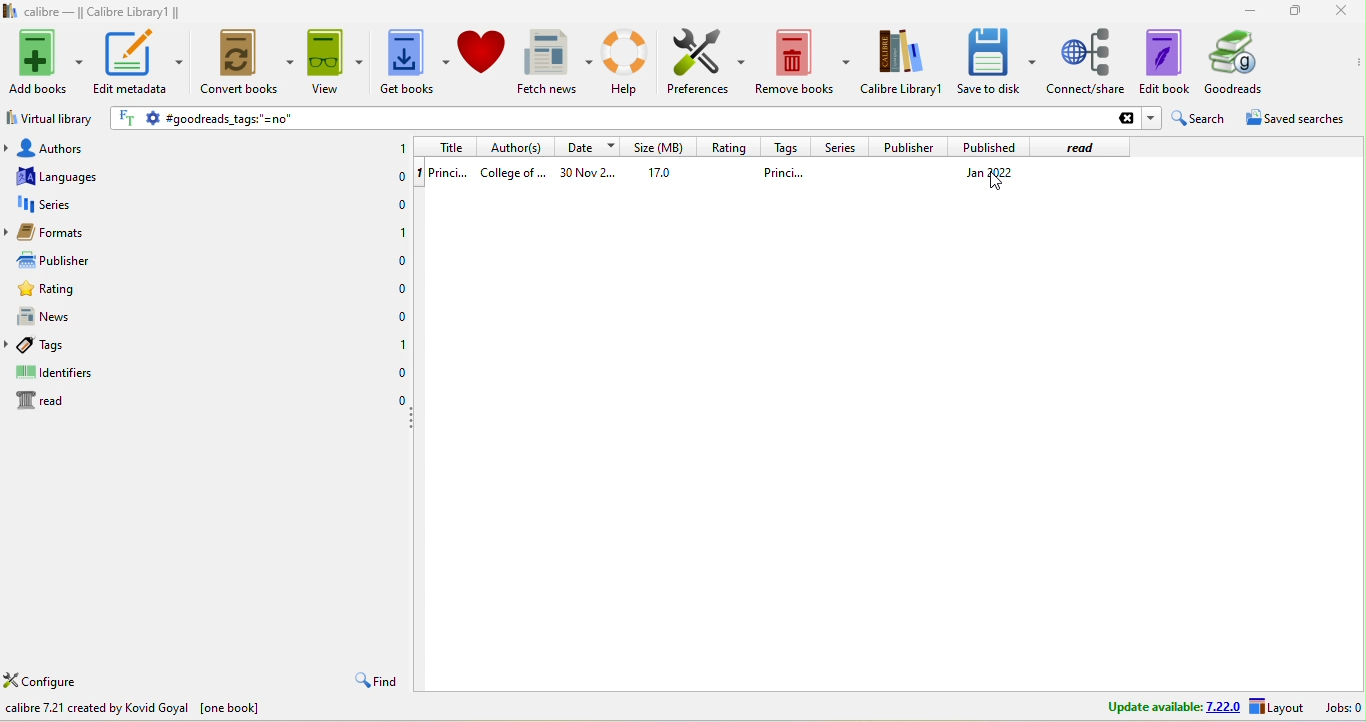 This screenshot has width=1366, height=722. I want to click on size, so click(657, 146).